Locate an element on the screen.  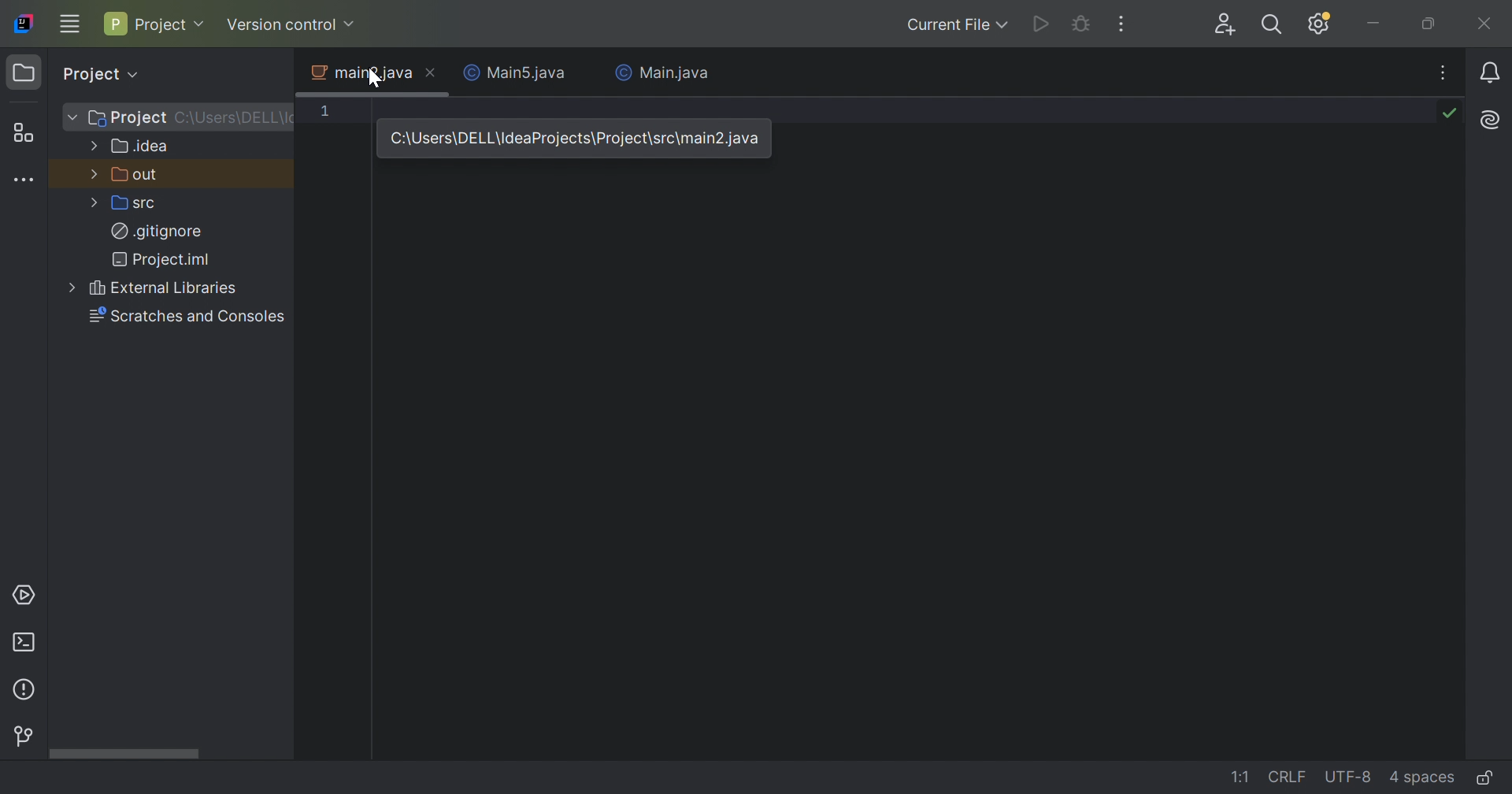
Scratches and consoles is located at coordinates (190, 316).